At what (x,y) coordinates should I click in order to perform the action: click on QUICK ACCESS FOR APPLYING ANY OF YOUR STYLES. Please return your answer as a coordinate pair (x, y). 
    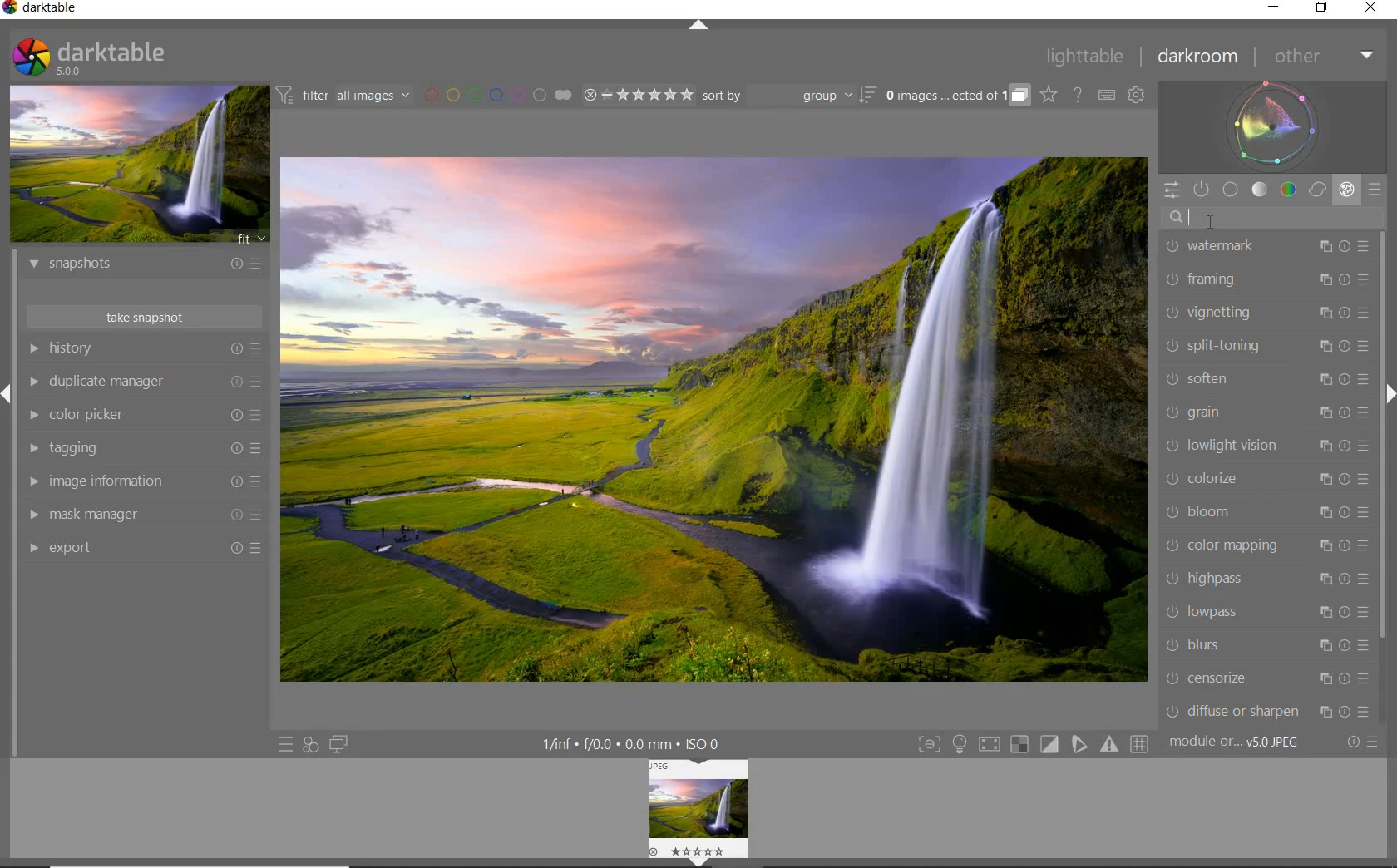
    Looking at the image, I should click on (309, 746).